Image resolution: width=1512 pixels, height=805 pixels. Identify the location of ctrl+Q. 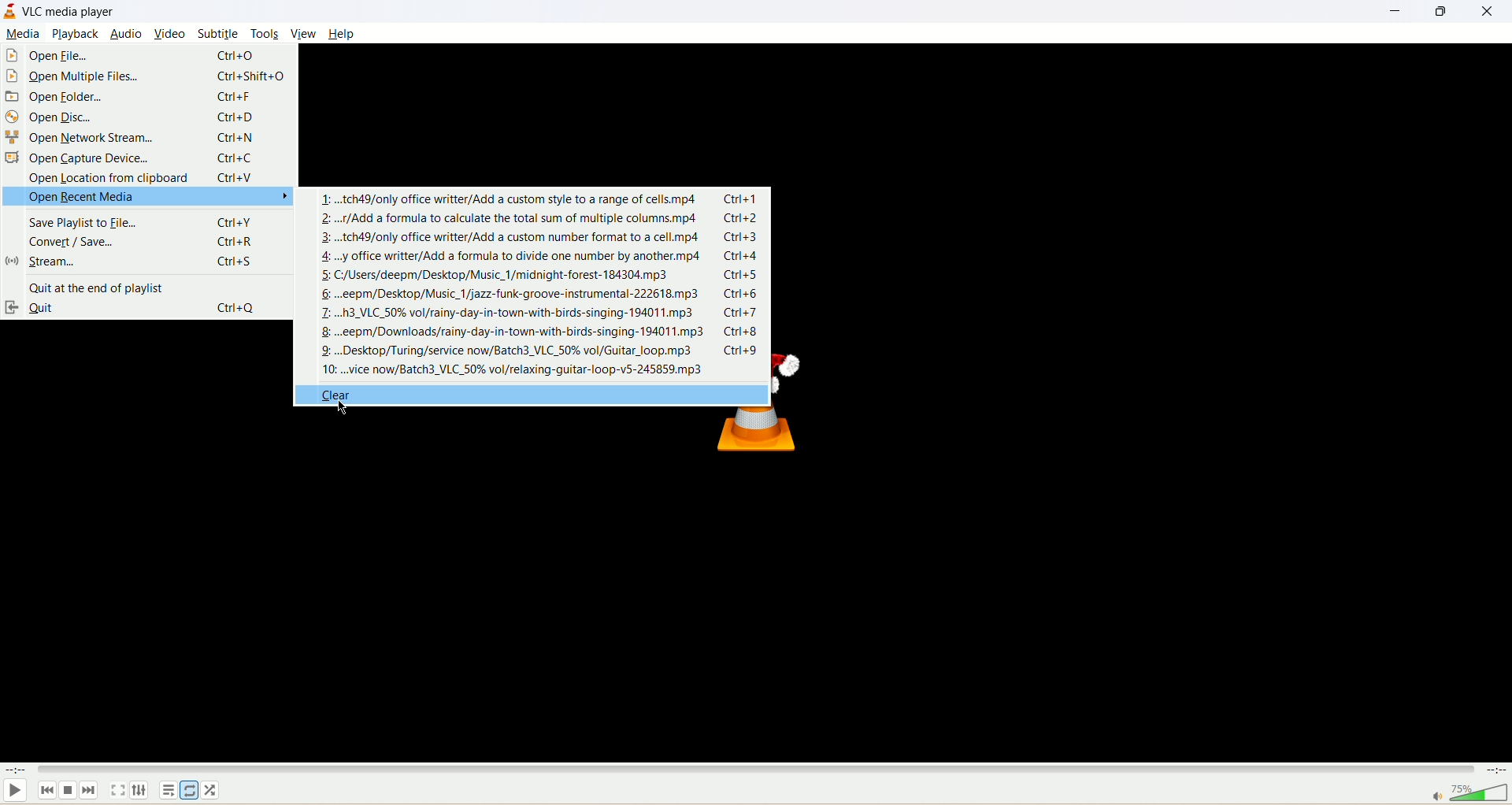
(235, 308).